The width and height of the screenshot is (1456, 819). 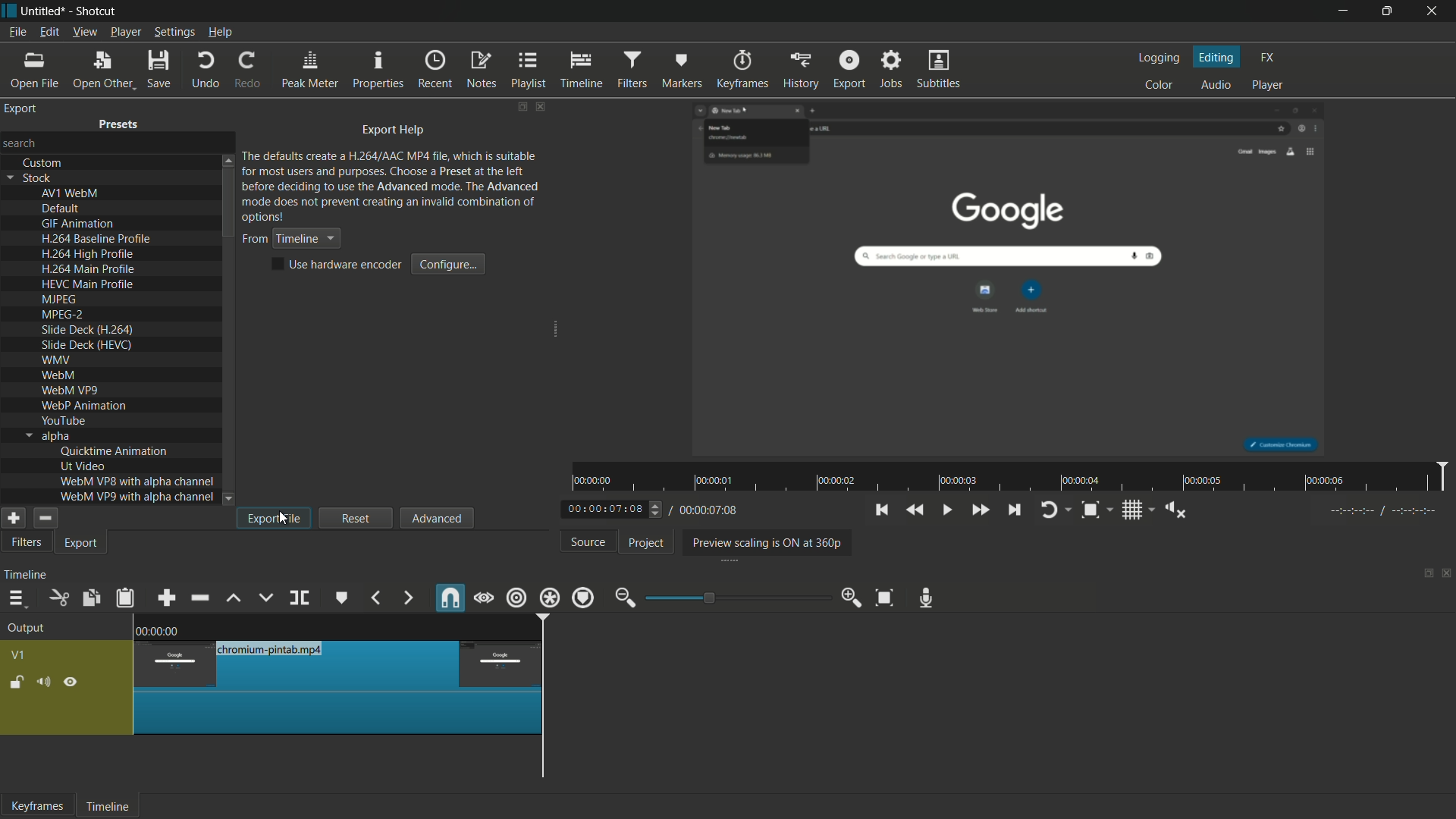 What do you see at coordinates (481, 70) in the screenshot?
I see `notes` at bounding box center [481, 70].